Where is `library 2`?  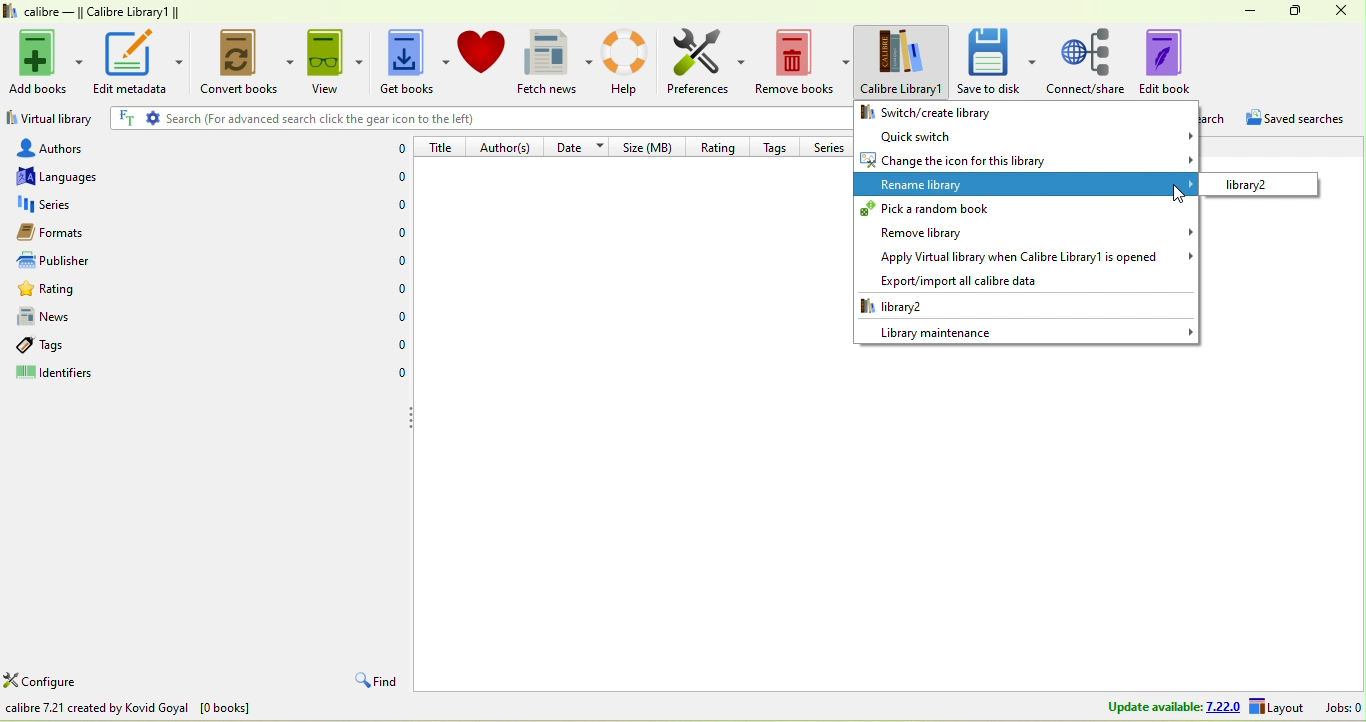 library 2 is located at coordinates (1259, 184).